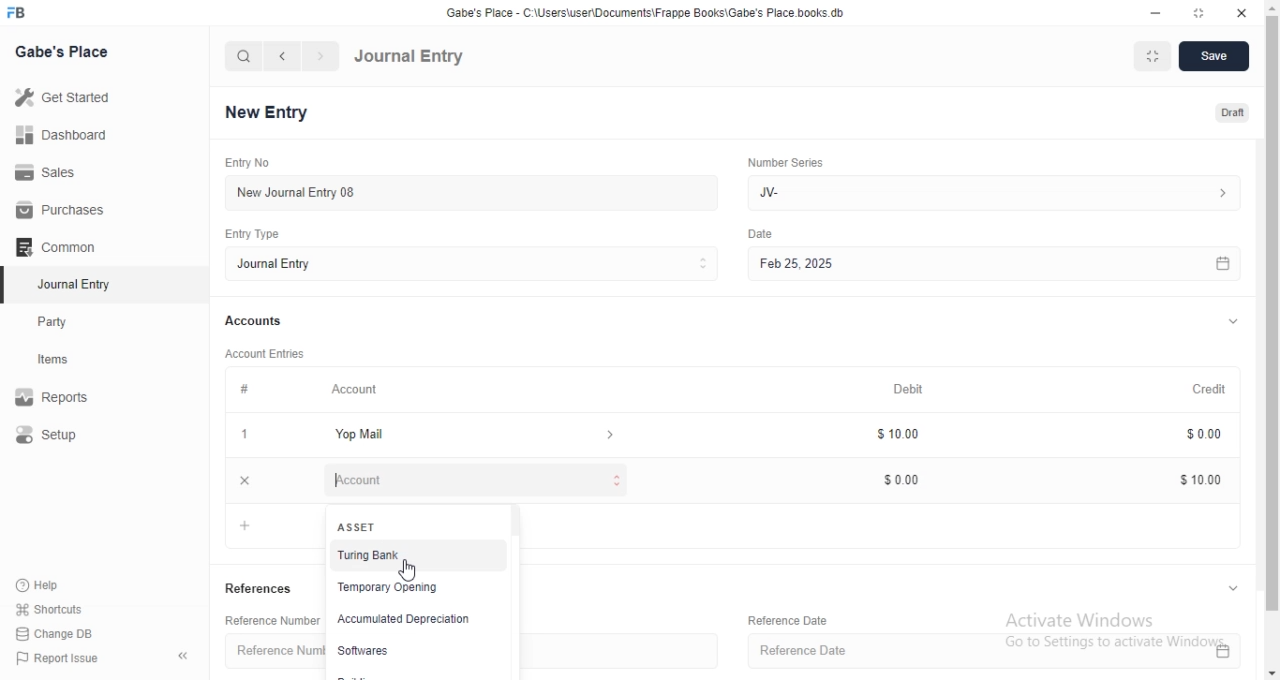 This screenshot has height=680, width=1280. Describe the element at coordinates (650, 10) in the screenshot. I see `‘Gabe's Place - C\Users\useriDocuments\Frappe Books\Gabe's Place books. db` at that location.